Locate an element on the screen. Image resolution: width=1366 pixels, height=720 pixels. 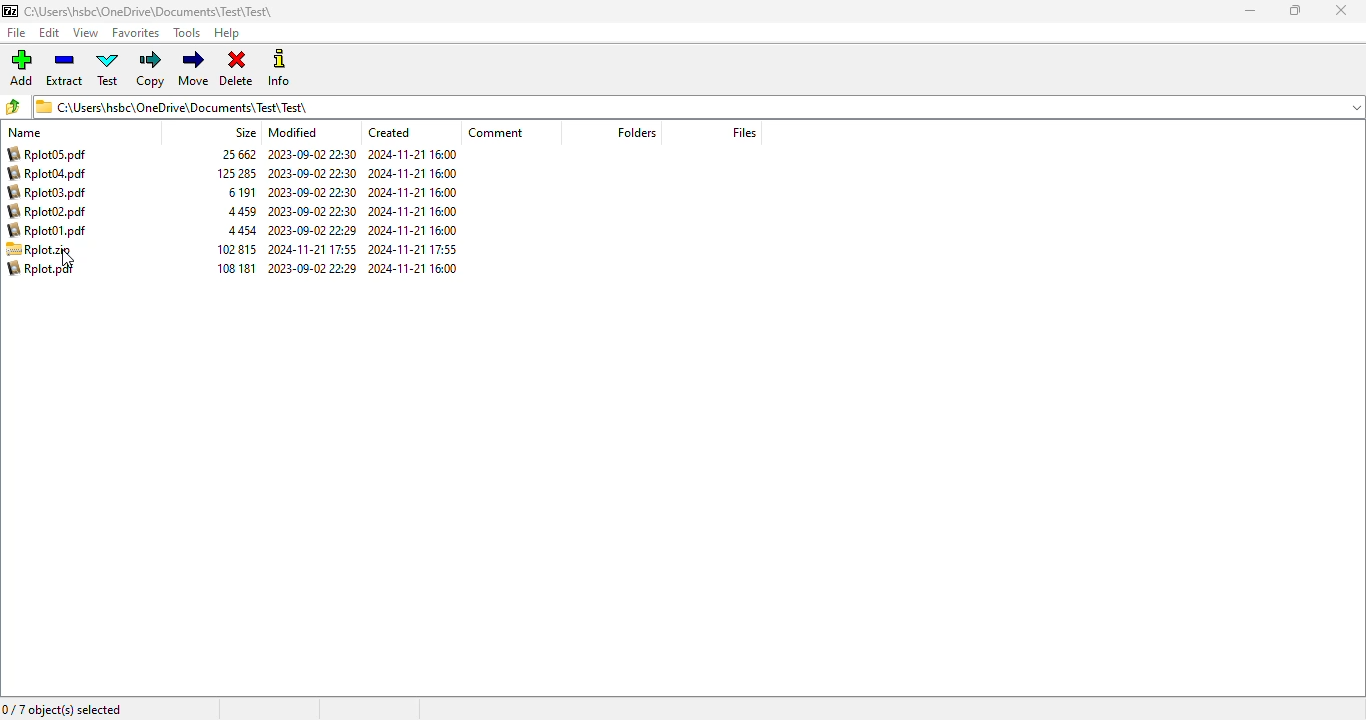
help is located at coordinates (226, 34).